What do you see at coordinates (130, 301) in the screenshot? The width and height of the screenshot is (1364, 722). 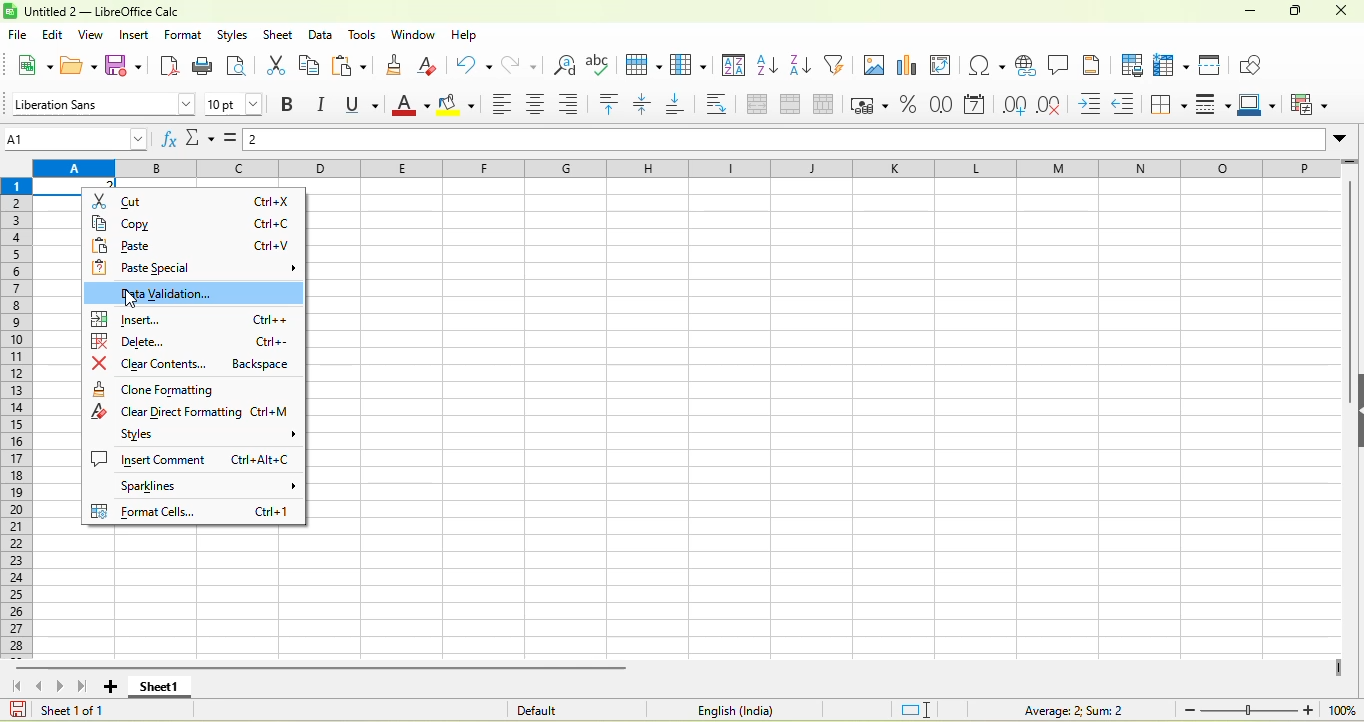 I see `cursor movement` at bounding box center [130, 301].